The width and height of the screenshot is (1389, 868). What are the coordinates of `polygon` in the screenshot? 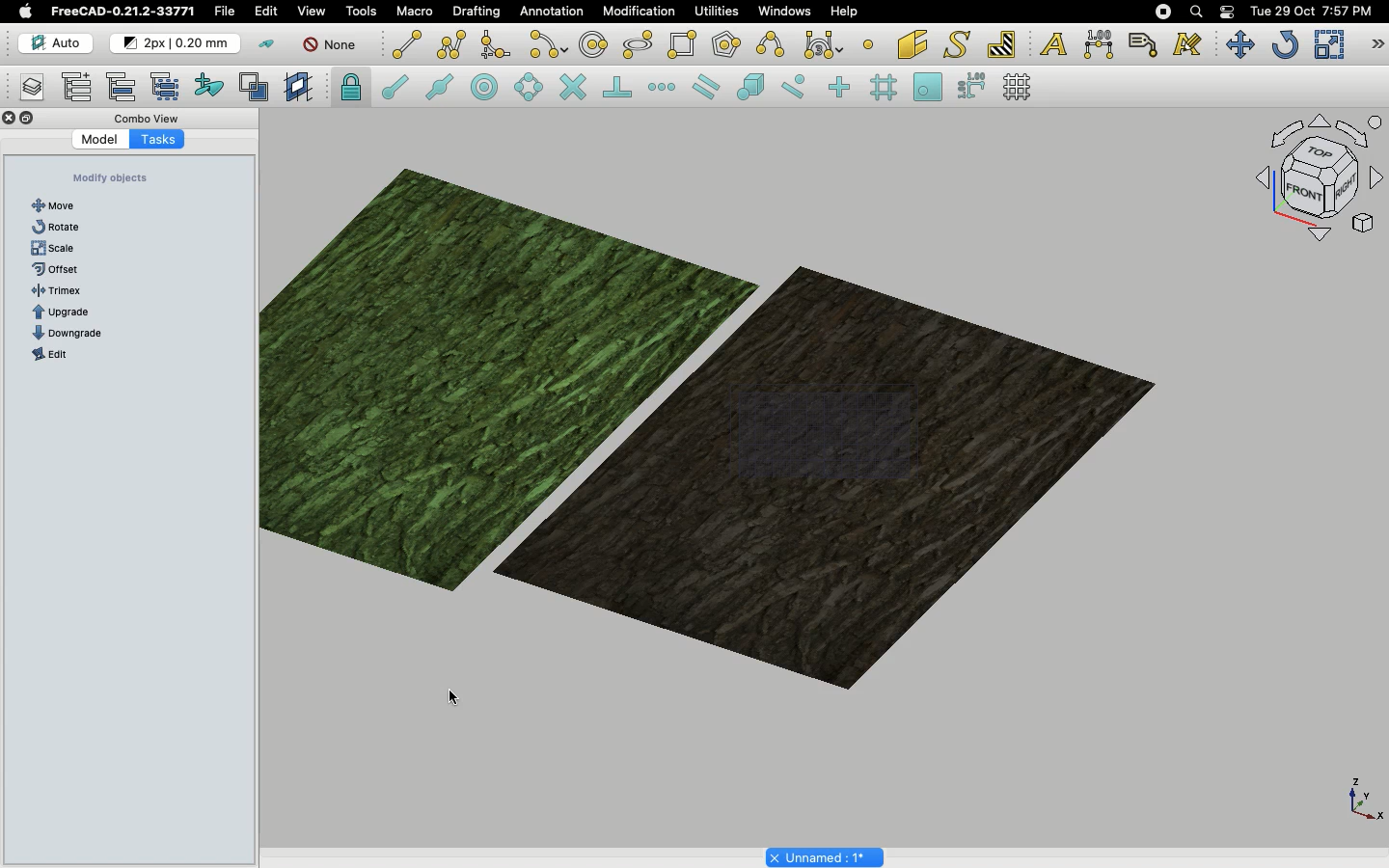 It's located at (639, 45).